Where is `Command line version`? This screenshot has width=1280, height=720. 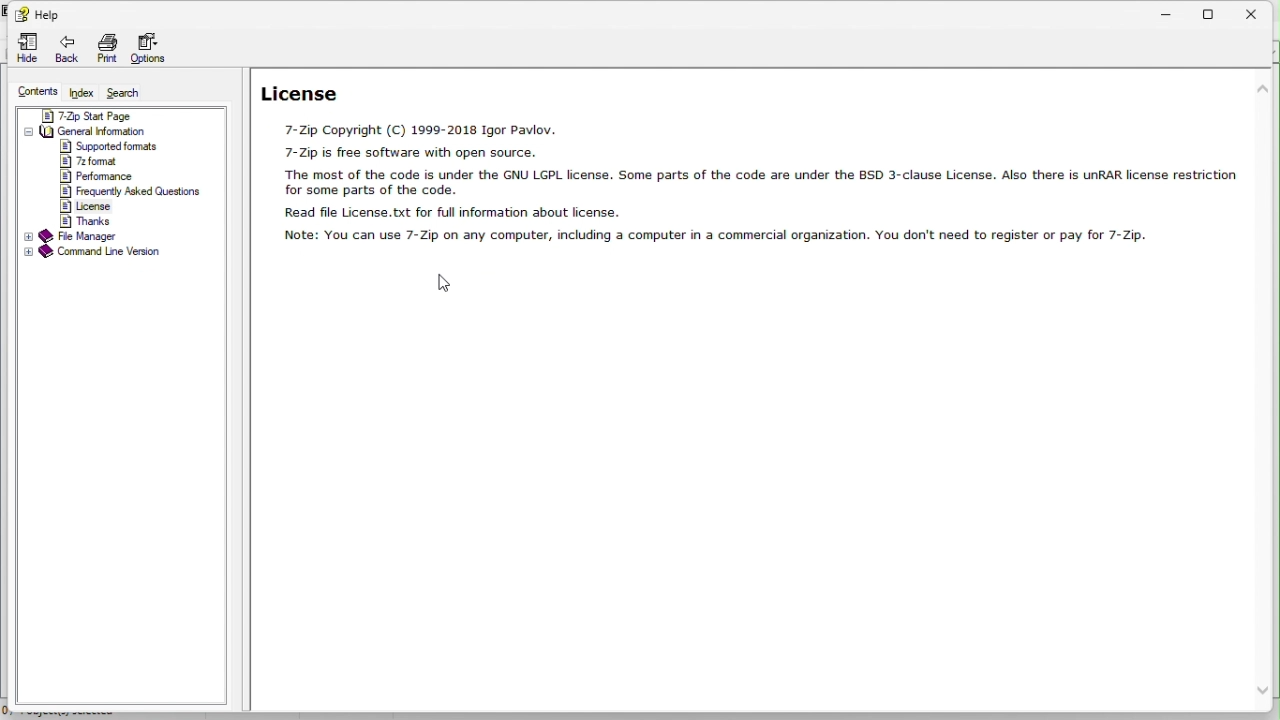 Command line version is located at coordinates (94, 253).